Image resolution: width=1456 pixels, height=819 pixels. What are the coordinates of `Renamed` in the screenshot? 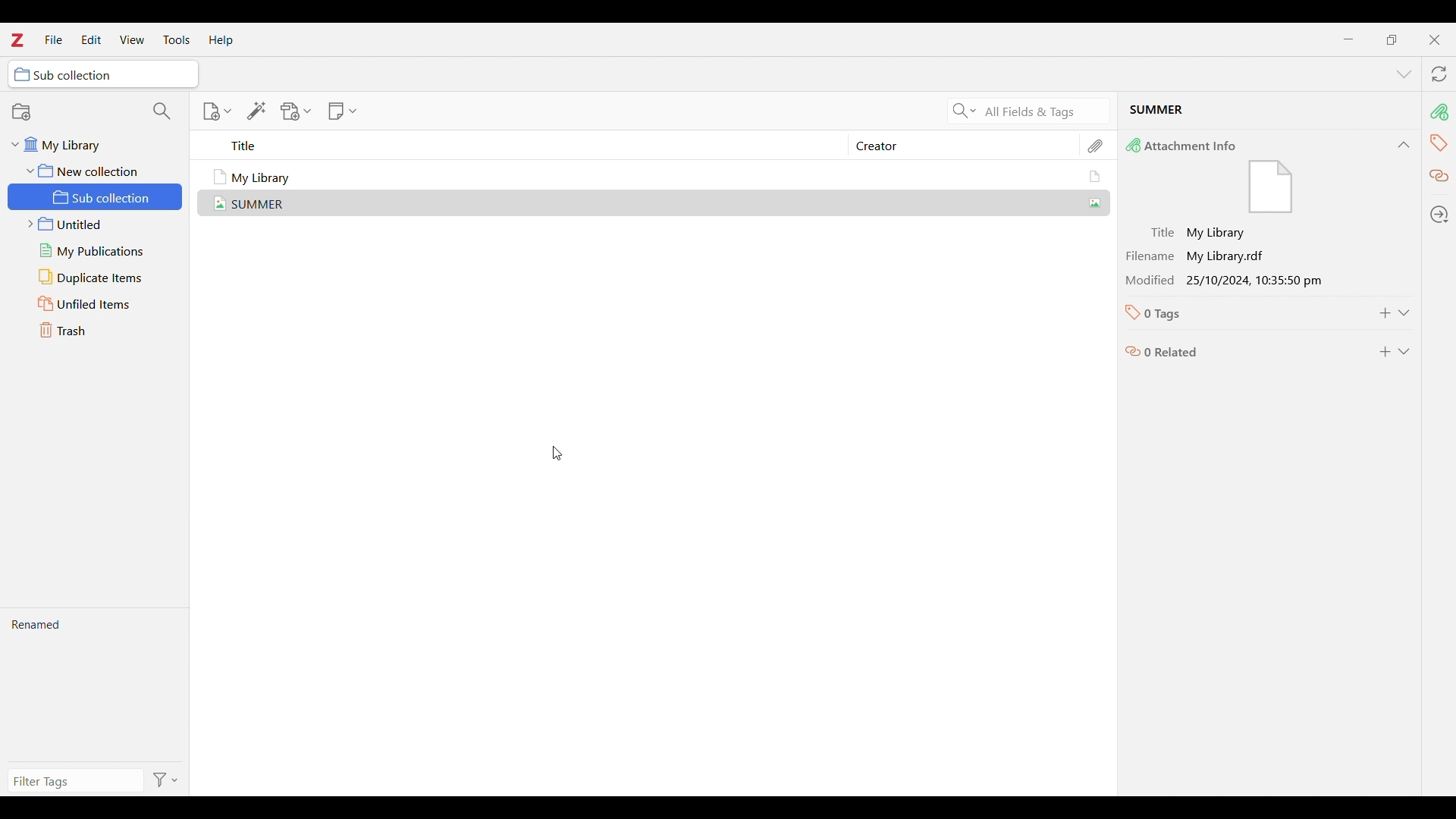 It's located at (94, 685).